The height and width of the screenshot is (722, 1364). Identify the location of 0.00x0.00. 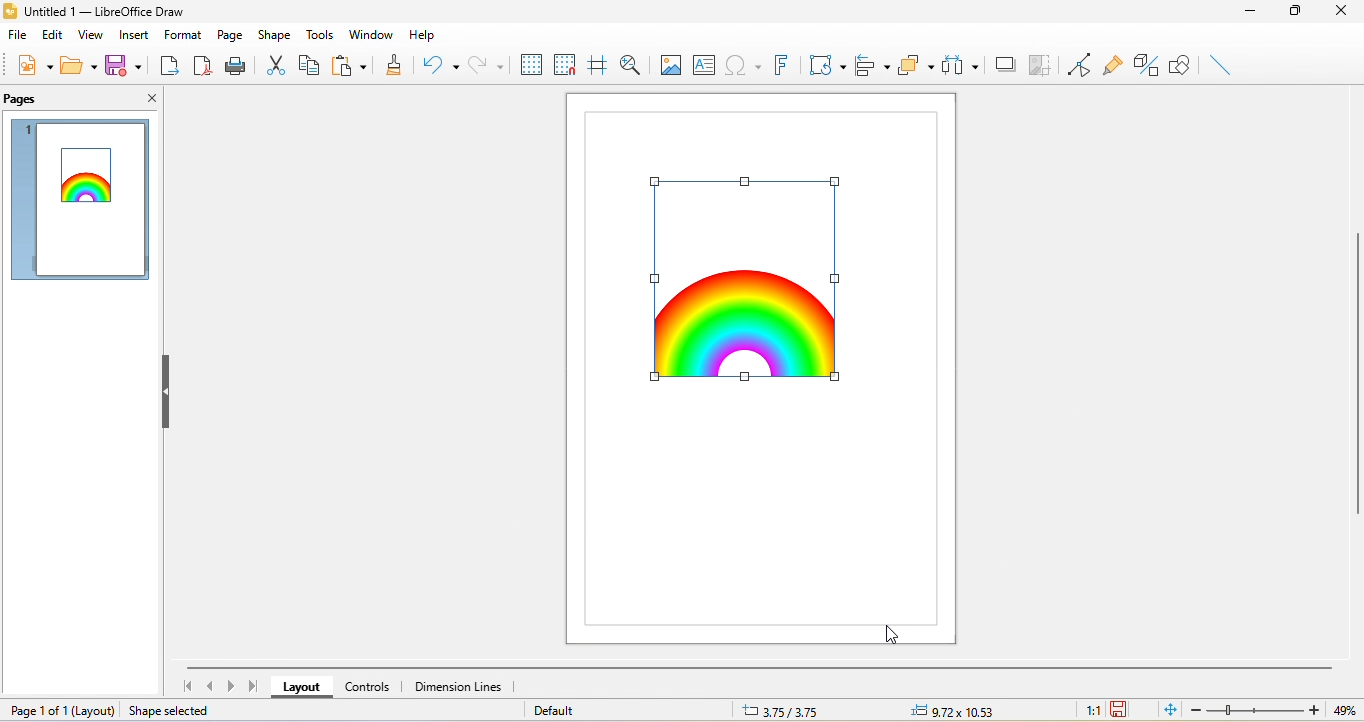
(950, 710).